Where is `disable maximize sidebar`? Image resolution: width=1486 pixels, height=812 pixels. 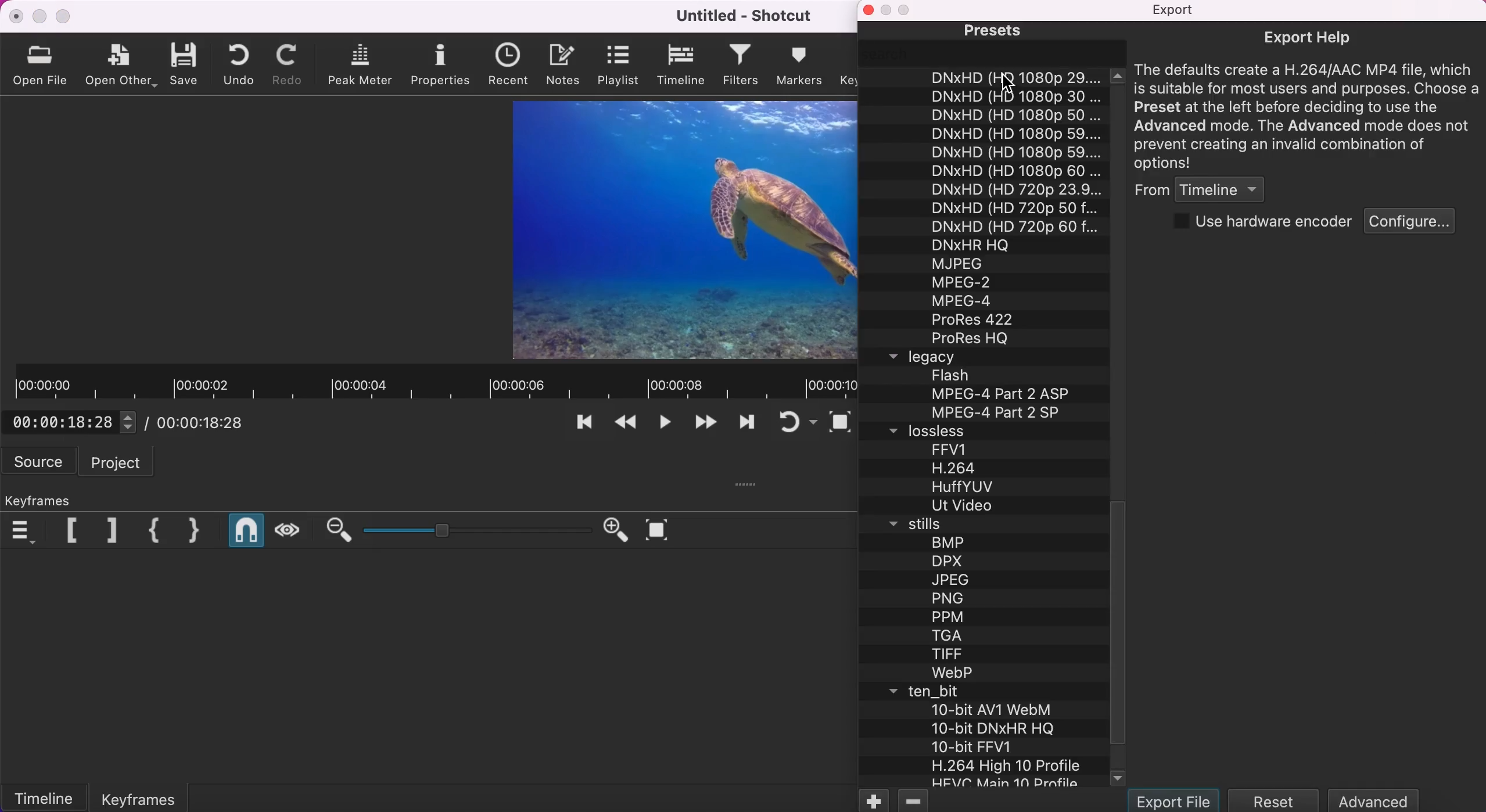 disable maximize sidebar is located at coordinates (907, 11).